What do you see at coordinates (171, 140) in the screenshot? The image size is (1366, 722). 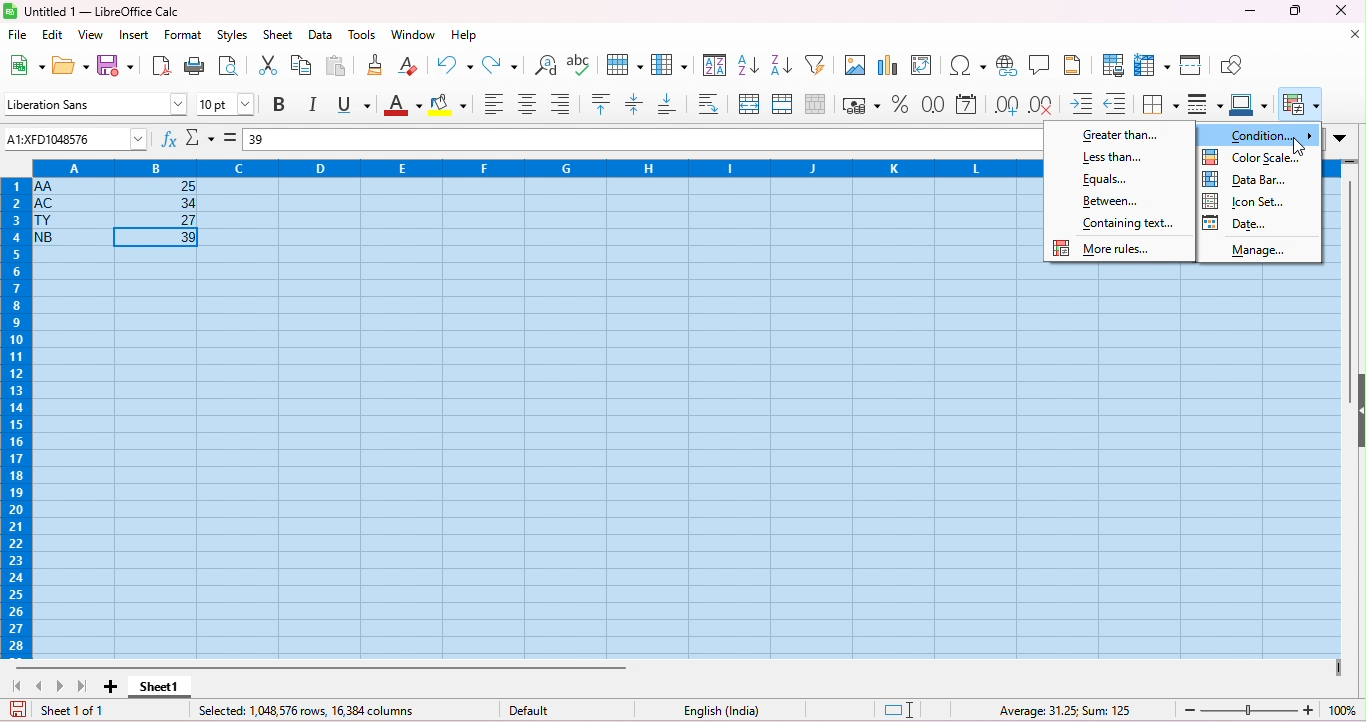 I see `function wizard` at bounding box center [171, 140].